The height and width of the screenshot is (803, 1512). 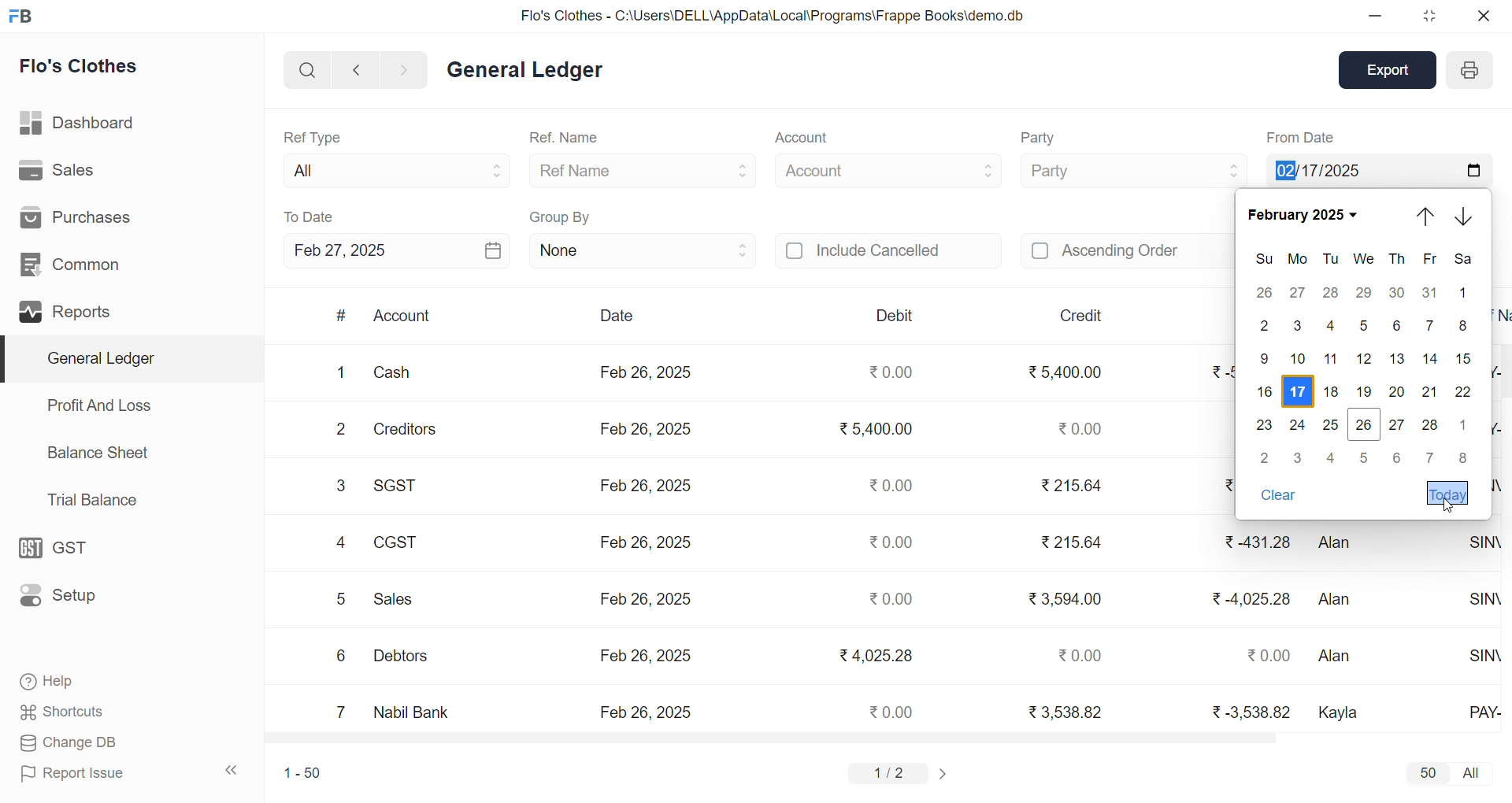 I want to click on 3, so click(x=343, y=487).